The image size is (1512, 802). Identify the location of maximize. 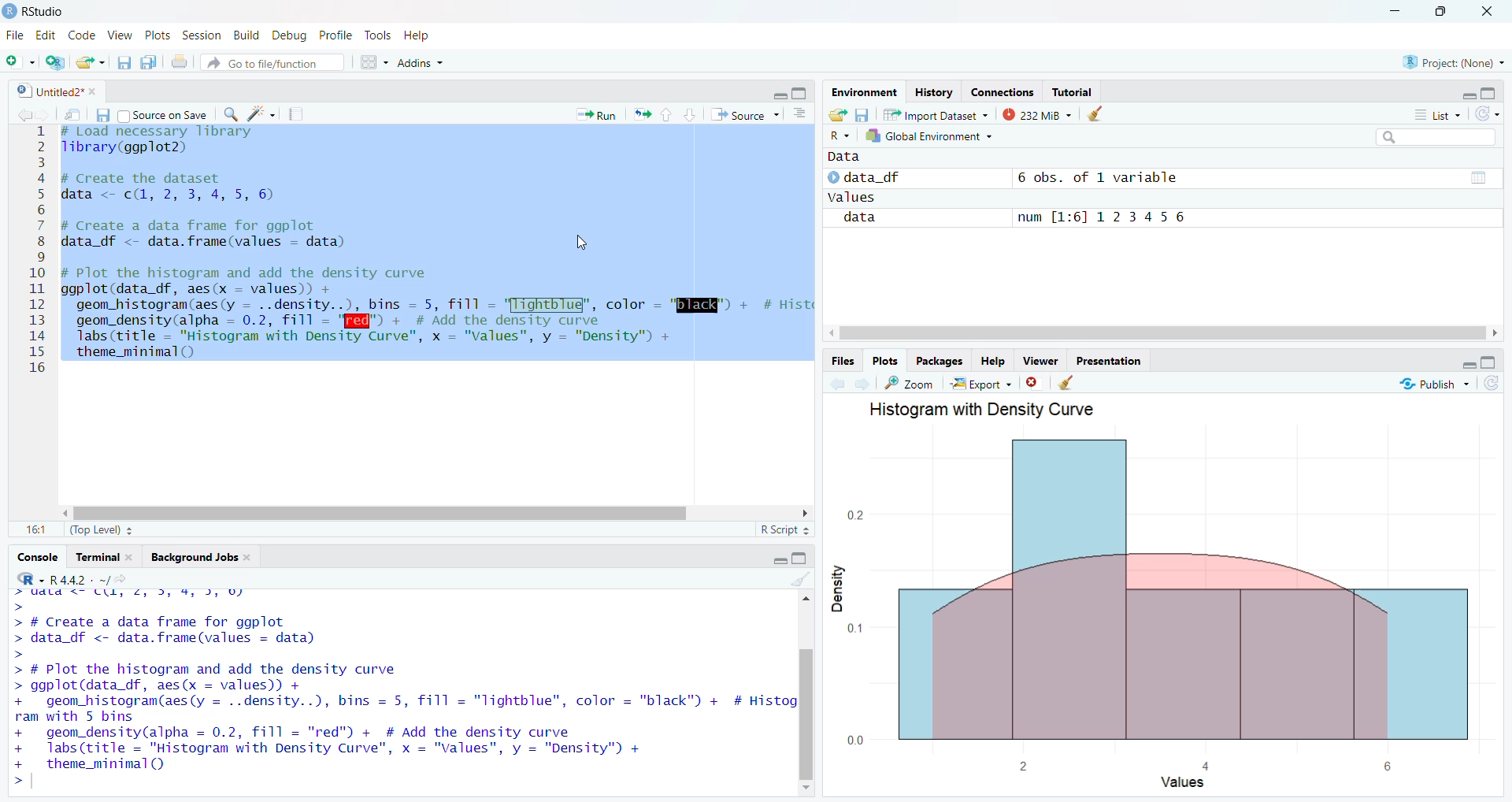
(1489, 363).